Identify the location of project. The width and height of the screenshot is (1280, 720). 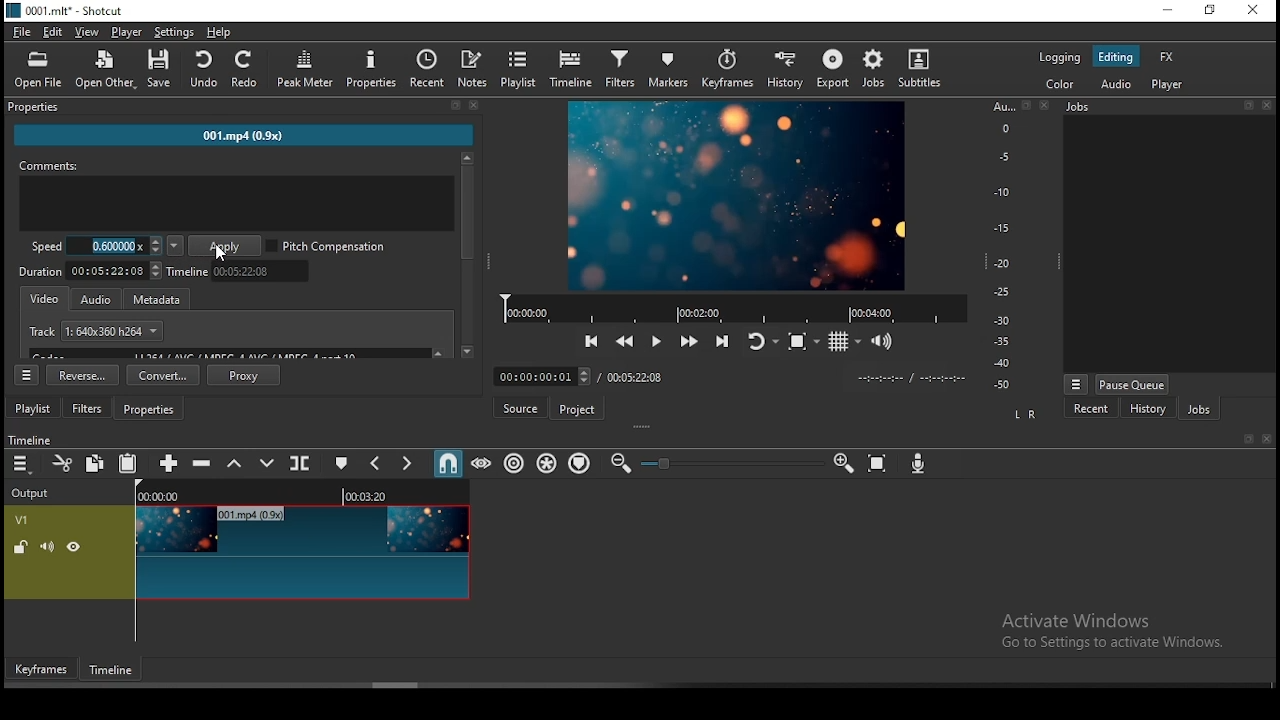
(578, 408).